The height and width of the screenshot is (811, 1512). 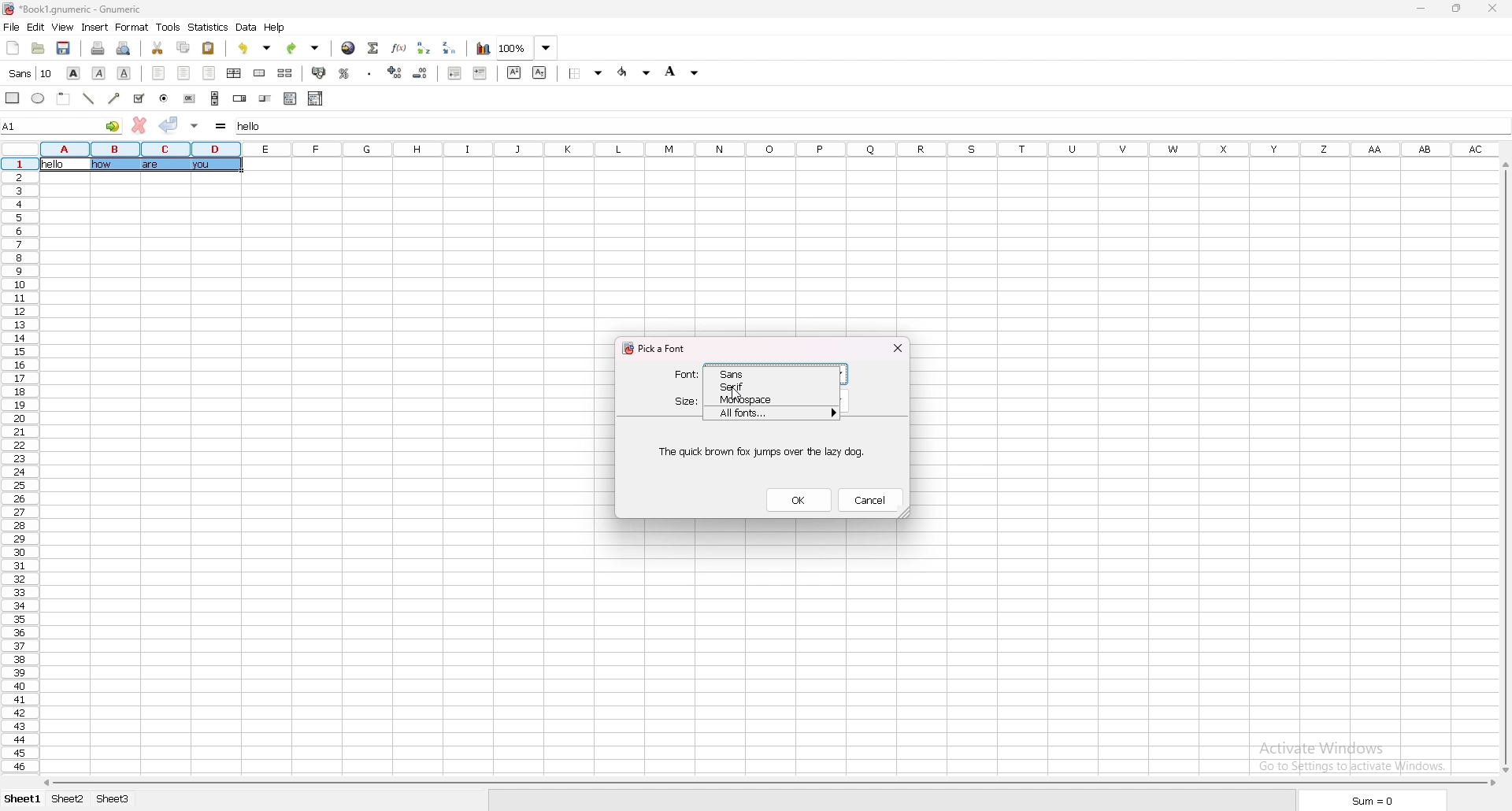 What do you see at coordinates (132, 28) in the screenshot?
I see `format` at bounding box center [132, 28].